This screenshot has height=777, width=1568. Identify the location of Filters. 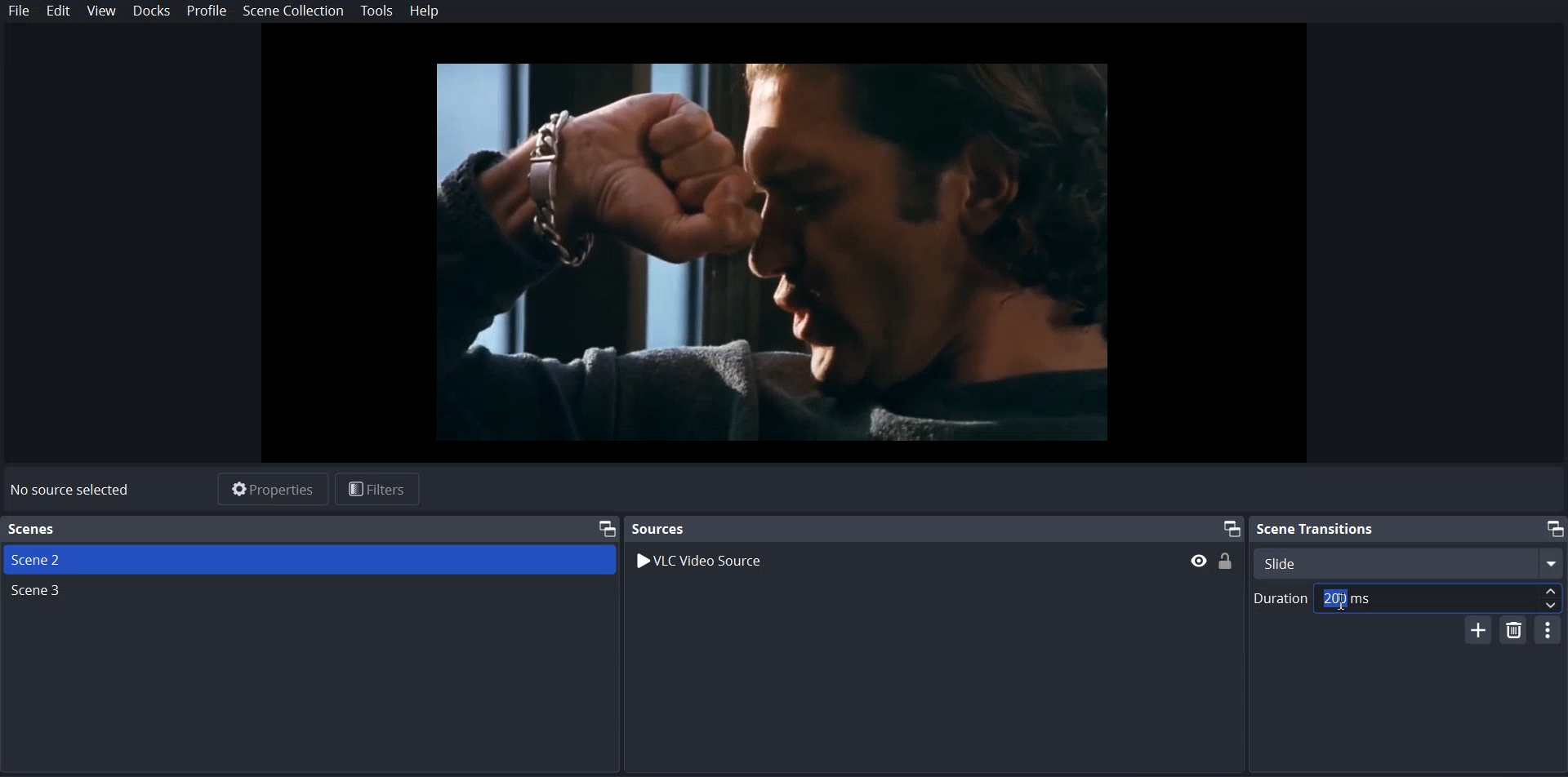
(378, 490).